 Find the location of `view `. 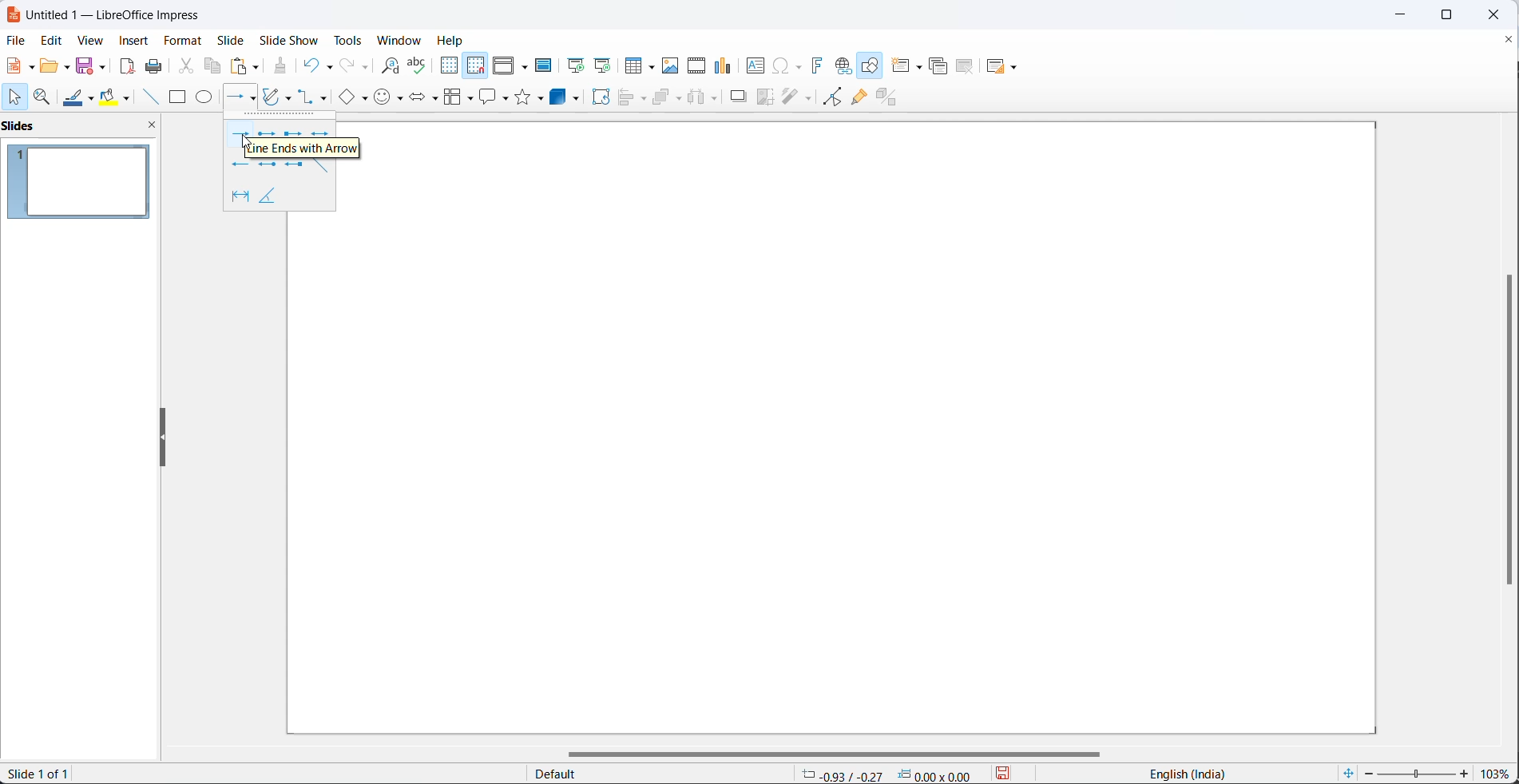

view  is located at coordinates (91, 40).